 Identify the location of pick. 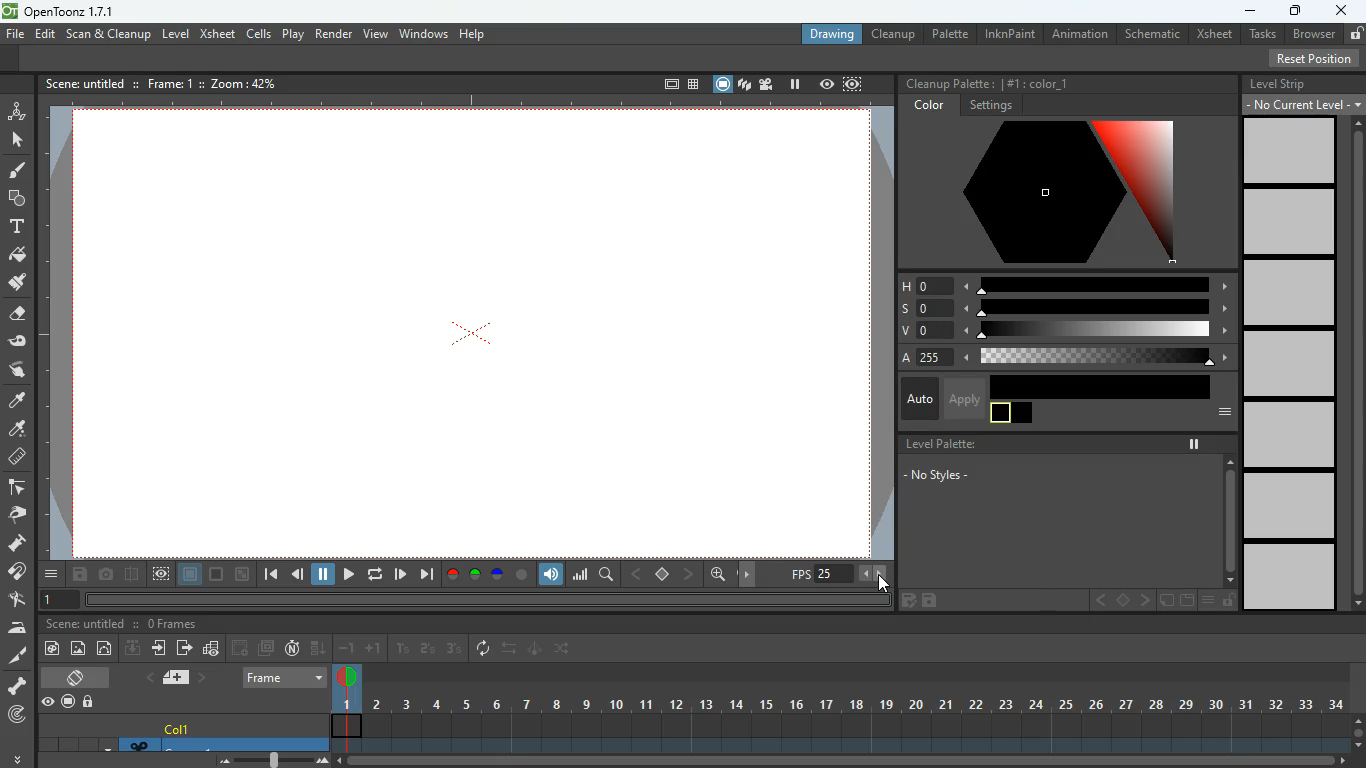
(15, 517).